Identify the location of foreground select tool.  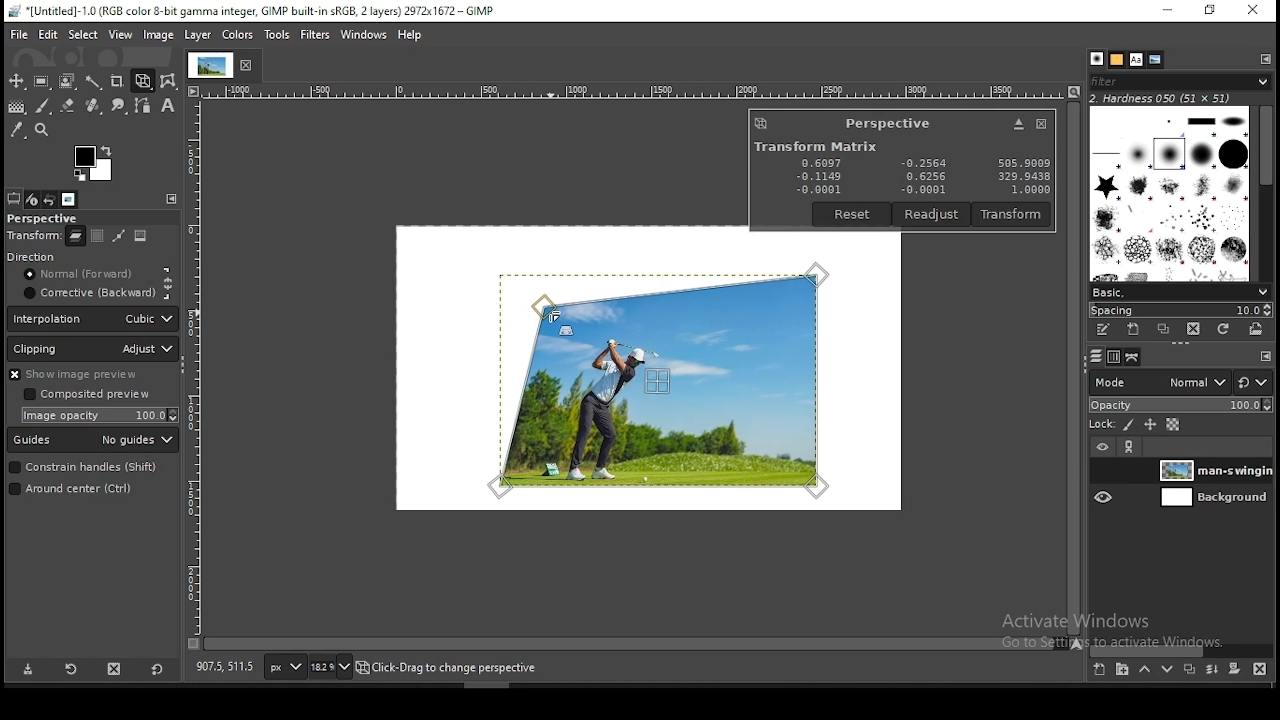
(68, 82).